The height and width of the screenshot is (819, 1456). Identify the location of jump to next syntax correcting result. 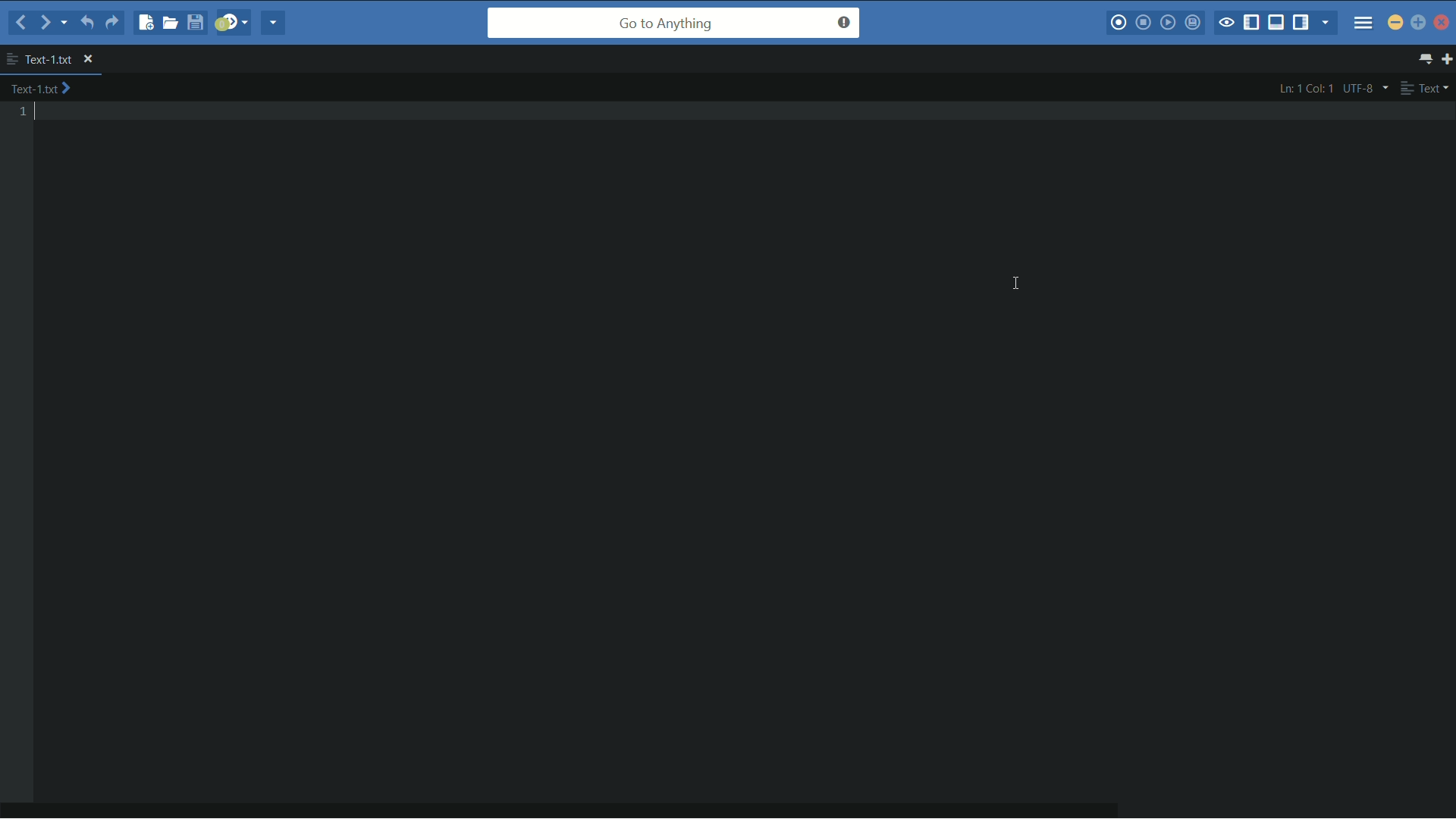
(233, 22).